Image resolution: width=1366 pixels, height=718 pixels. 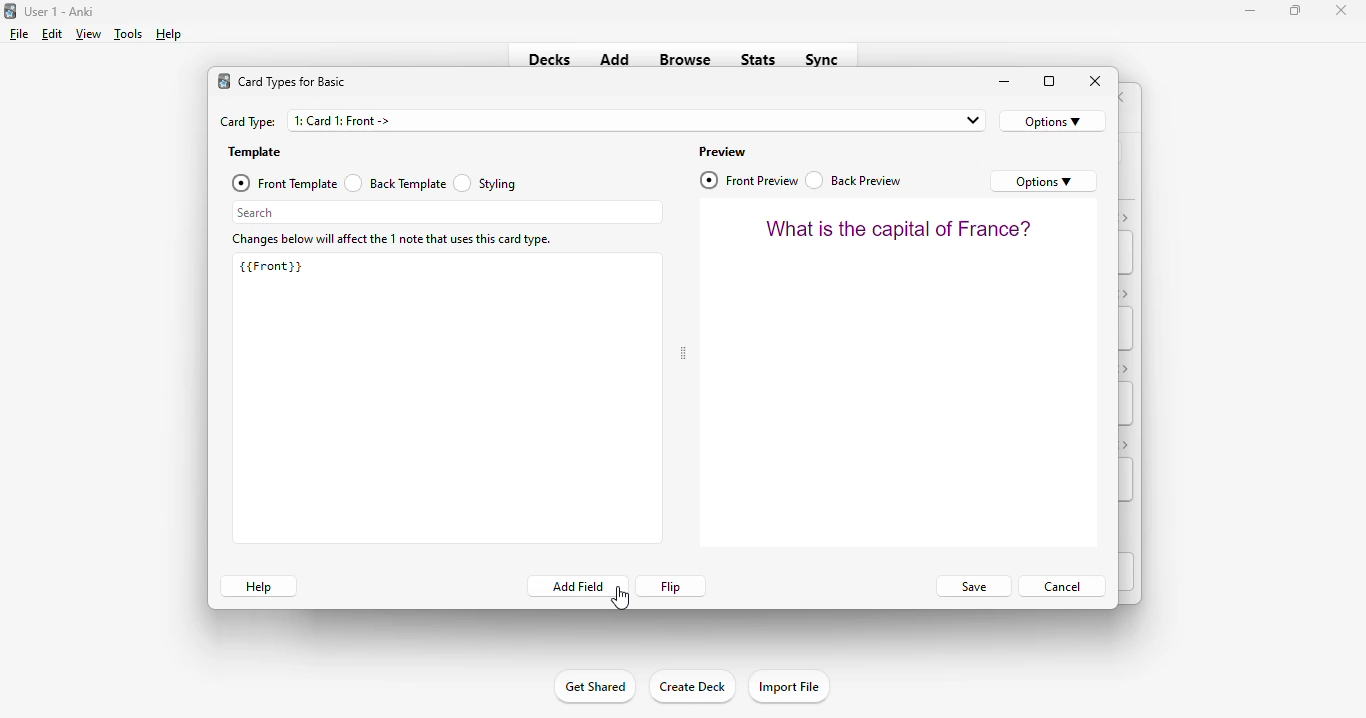 What do you see at coordinates (899, 228) in the screenshot?
I see `what is the capital of France?` at bounding box center [899, 228].